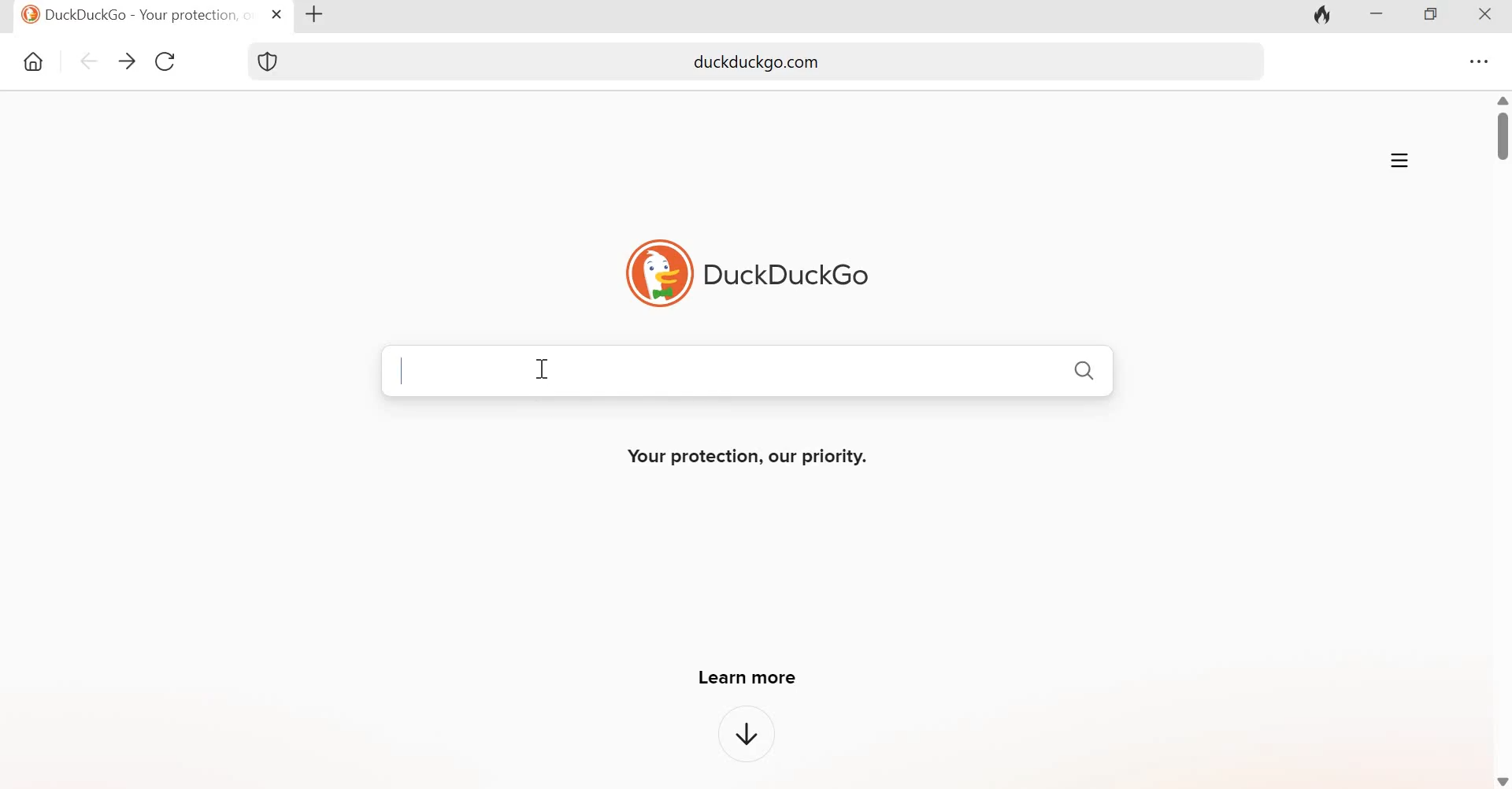  I want to click on Application menu, so click(1400, 158).